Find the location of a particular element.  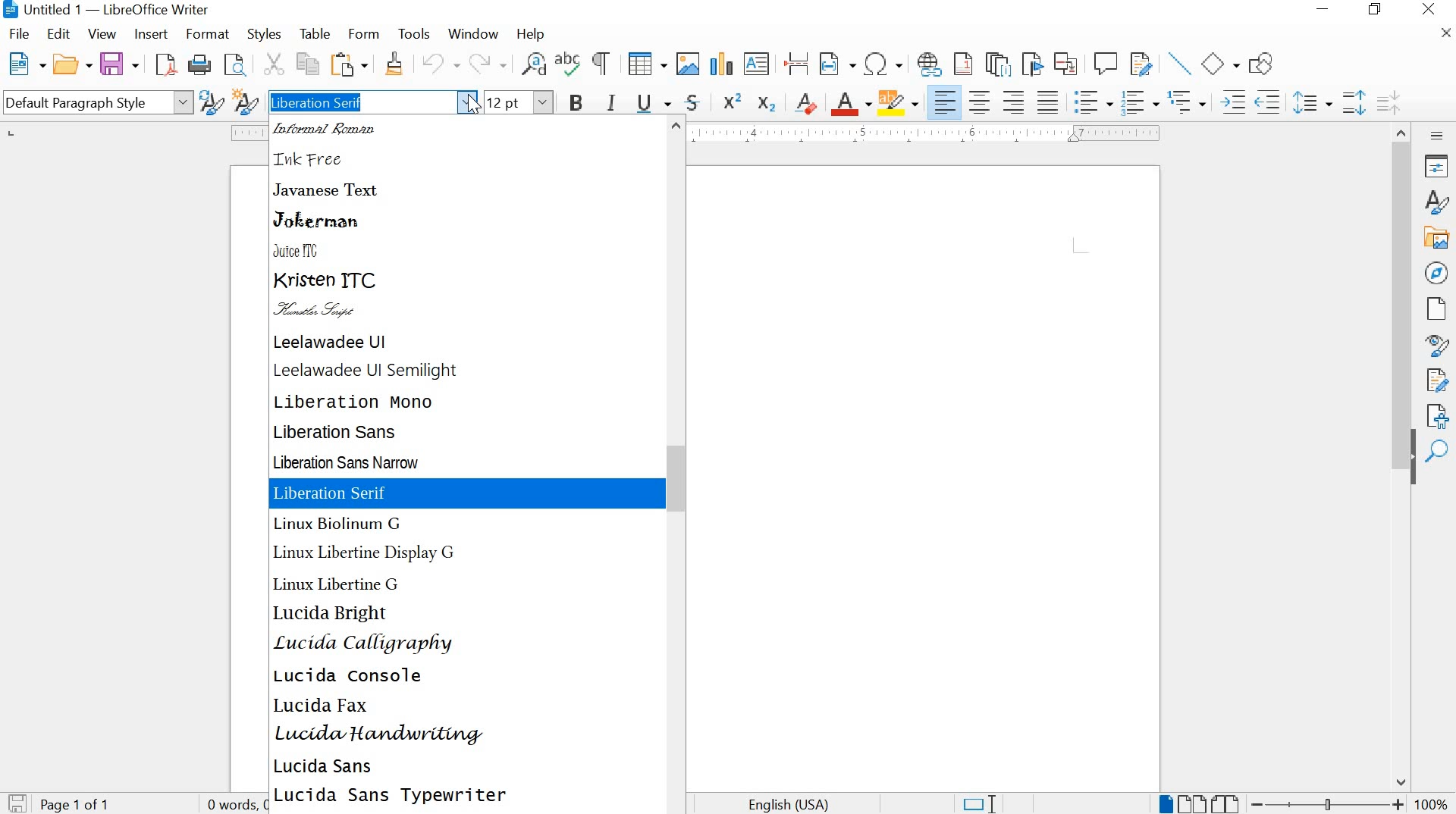

SELECT OUTLINE FORMAT is located at coordinates (1187, 102).